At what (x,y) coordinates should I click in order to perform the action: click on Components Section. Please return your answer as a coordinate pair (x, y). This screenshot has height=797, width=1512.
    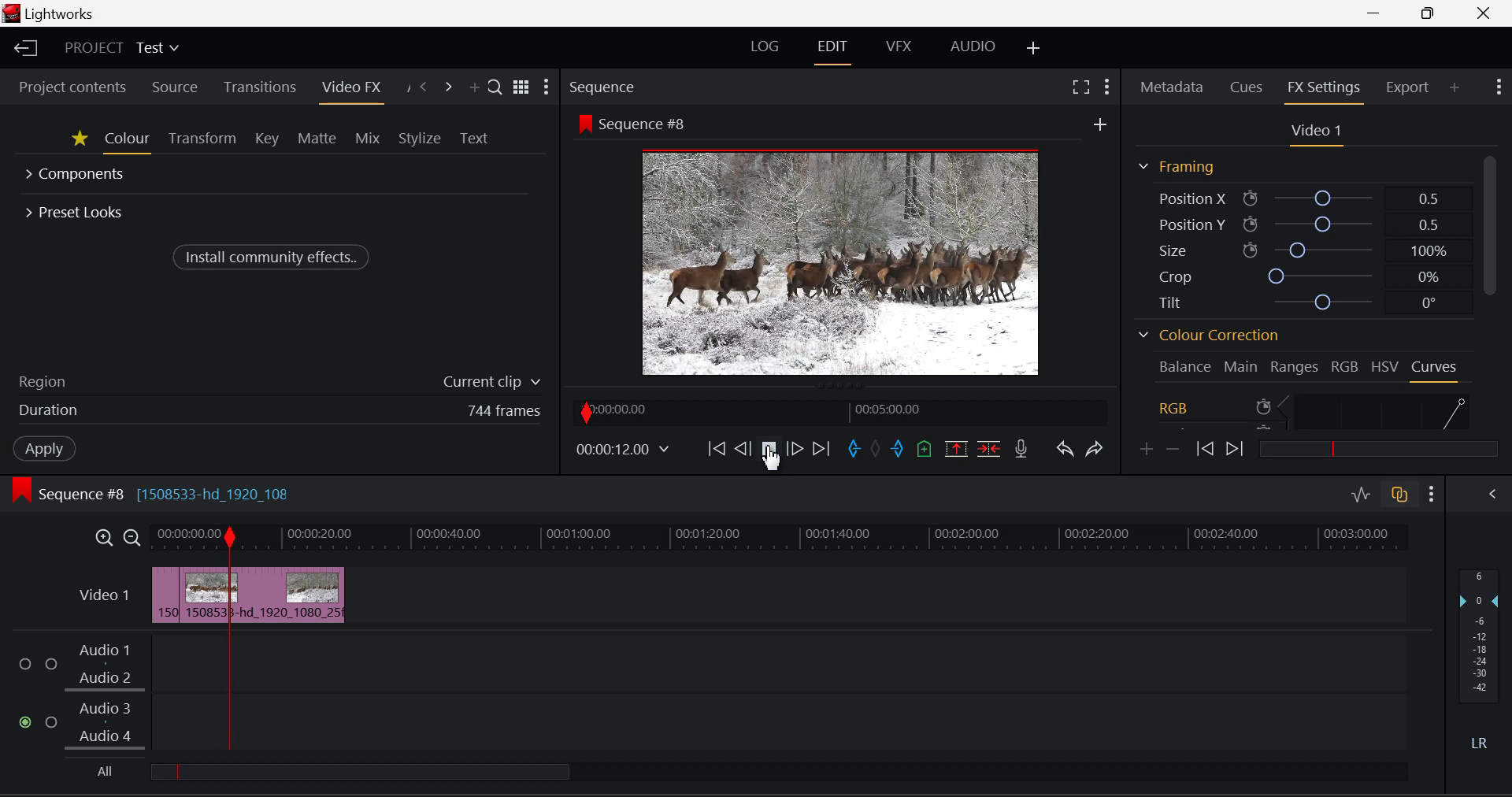
    Looking at the image, I should click on (77, 176).